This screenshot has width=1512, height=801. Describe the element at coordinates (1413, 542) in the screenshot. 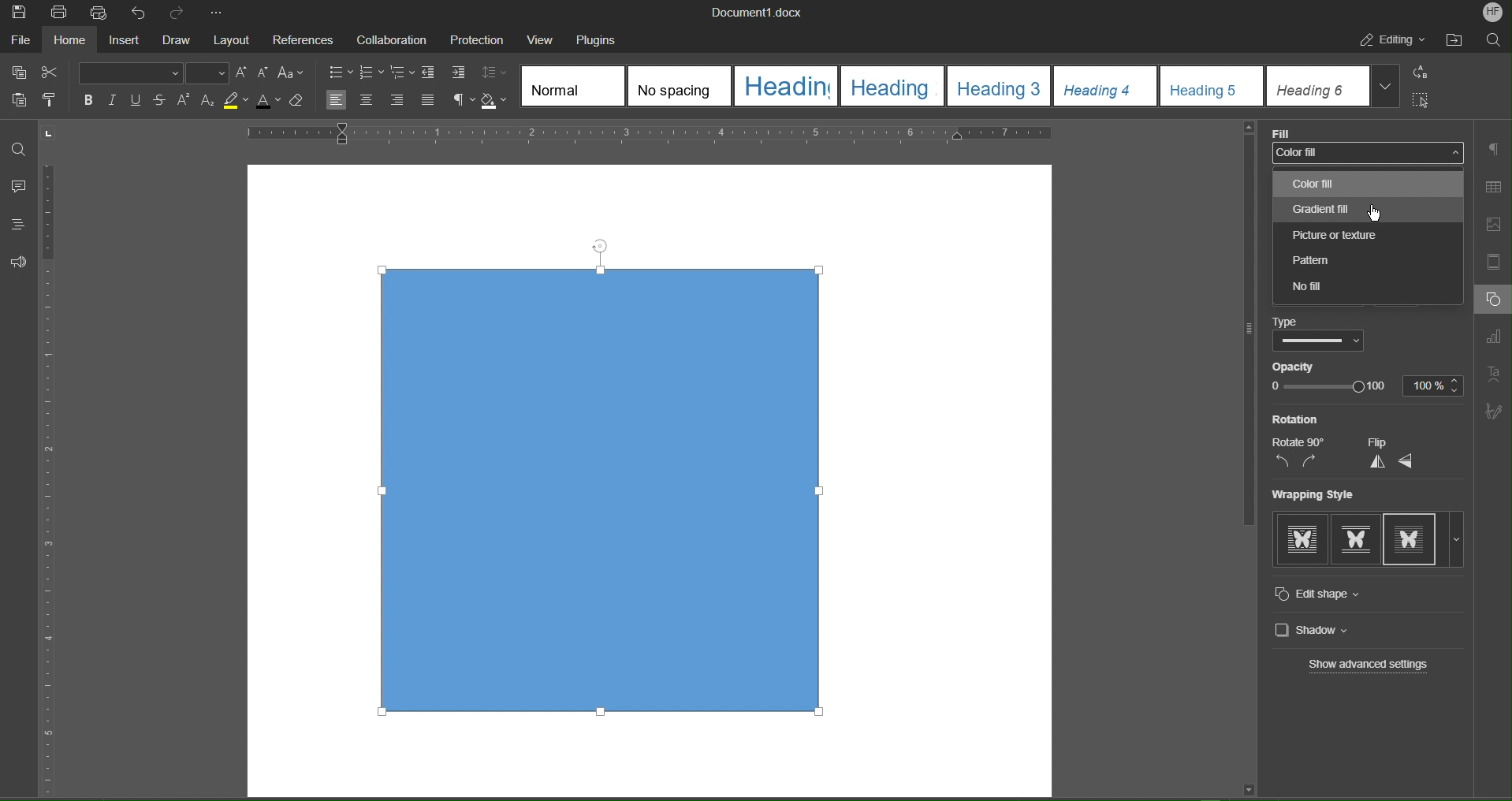

I see `Wrapping StylesTight wrapping` at that location.